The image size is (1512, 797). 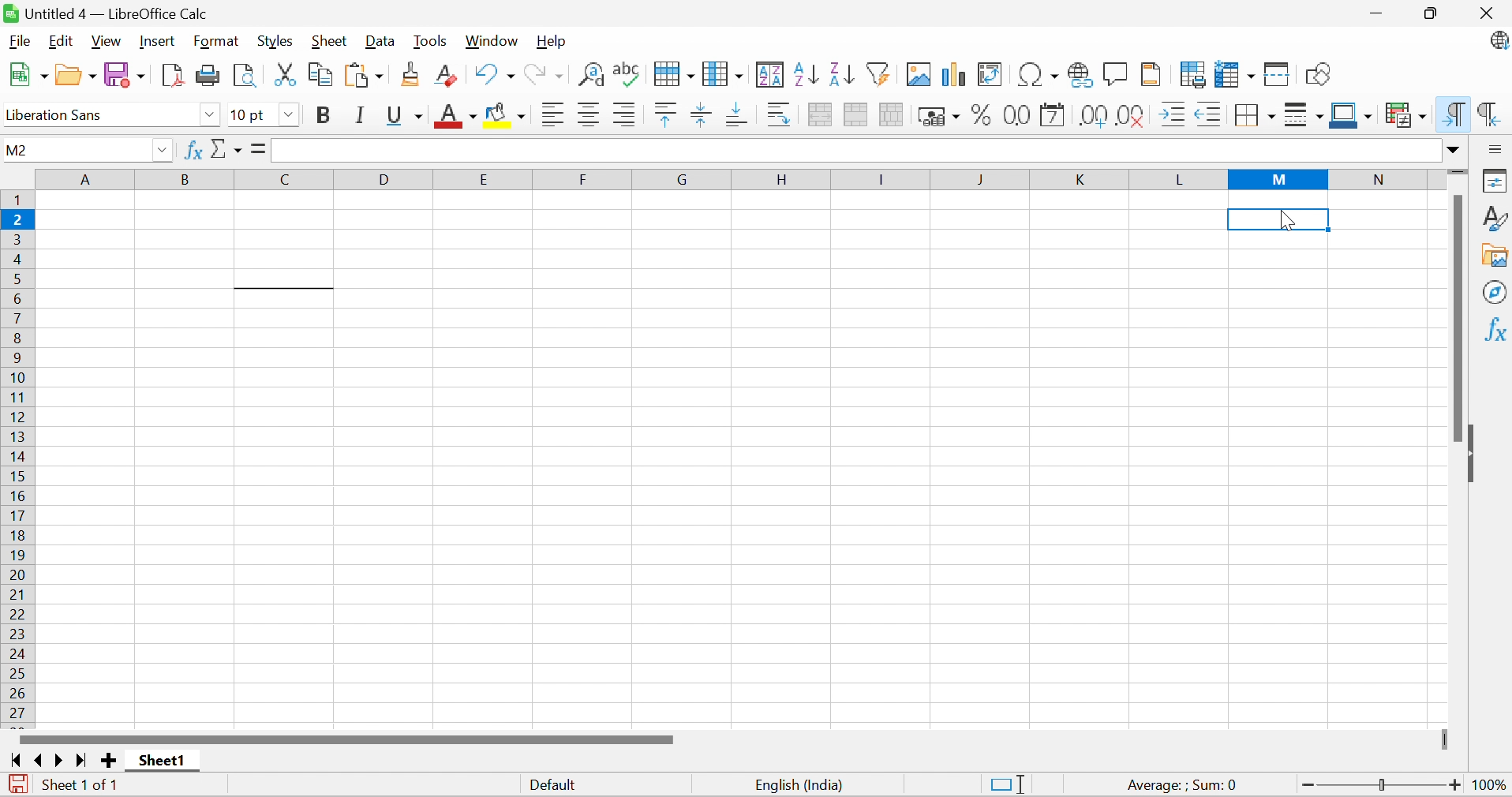 I want to click on 100%, so click(x=1492, y=788).